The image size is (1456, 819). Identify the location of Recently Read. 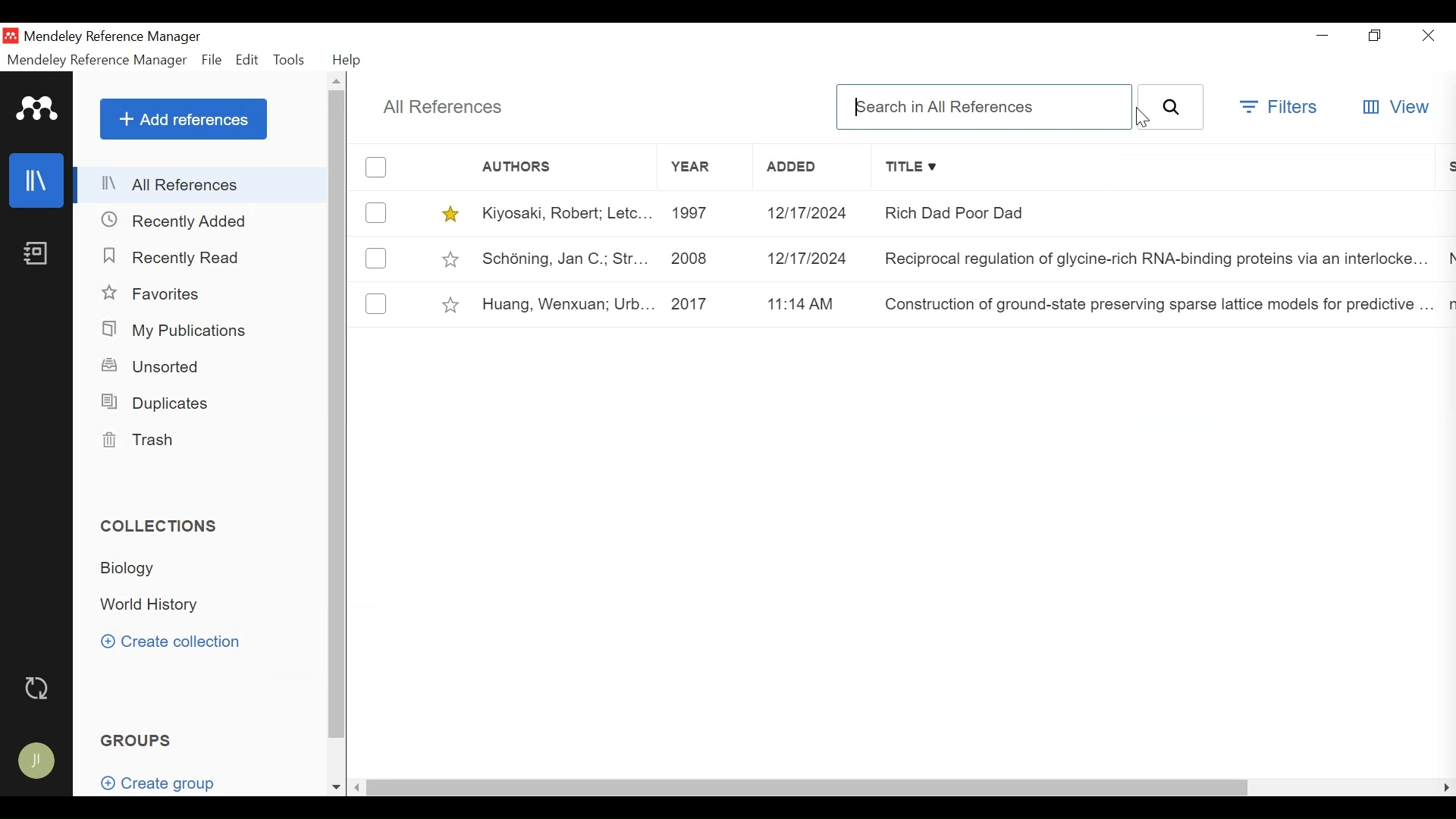
(174, 257).